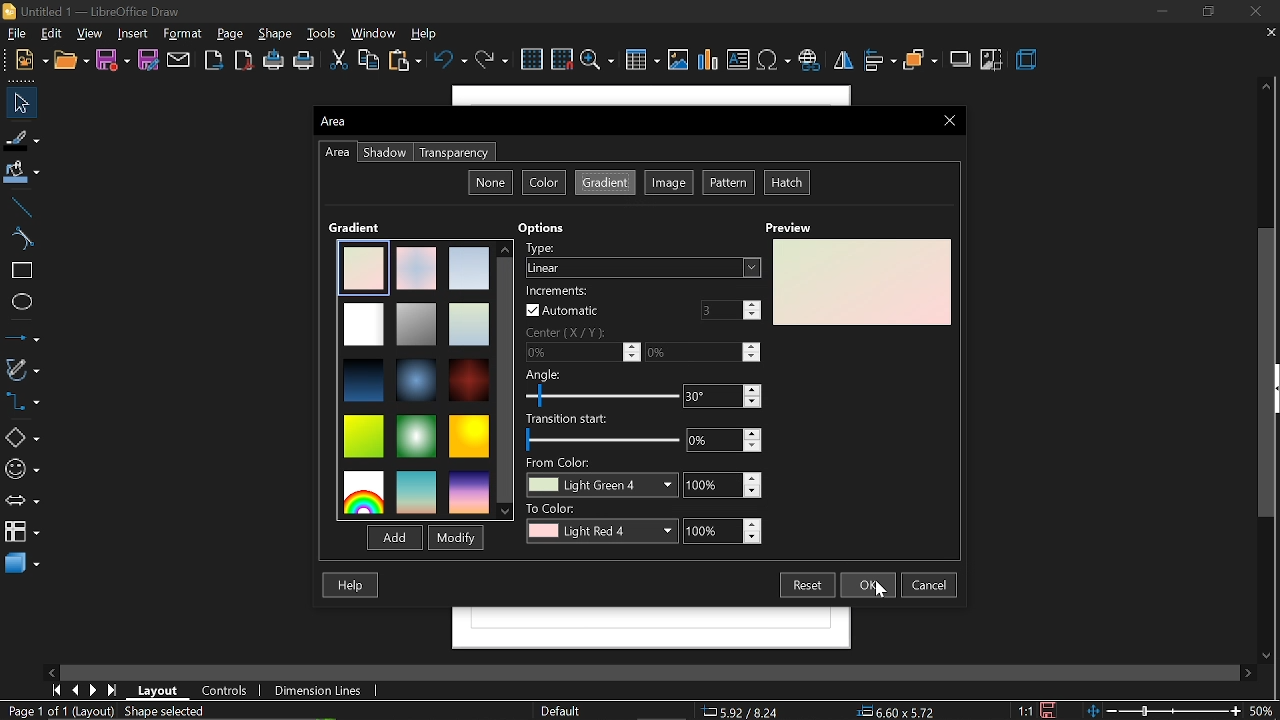 Image resolution: width=1280 pixels, height=720 pixels. What do you see at coordinates (544, 182) in the screenshot?
I see `color` at bounding box center [544, 182].